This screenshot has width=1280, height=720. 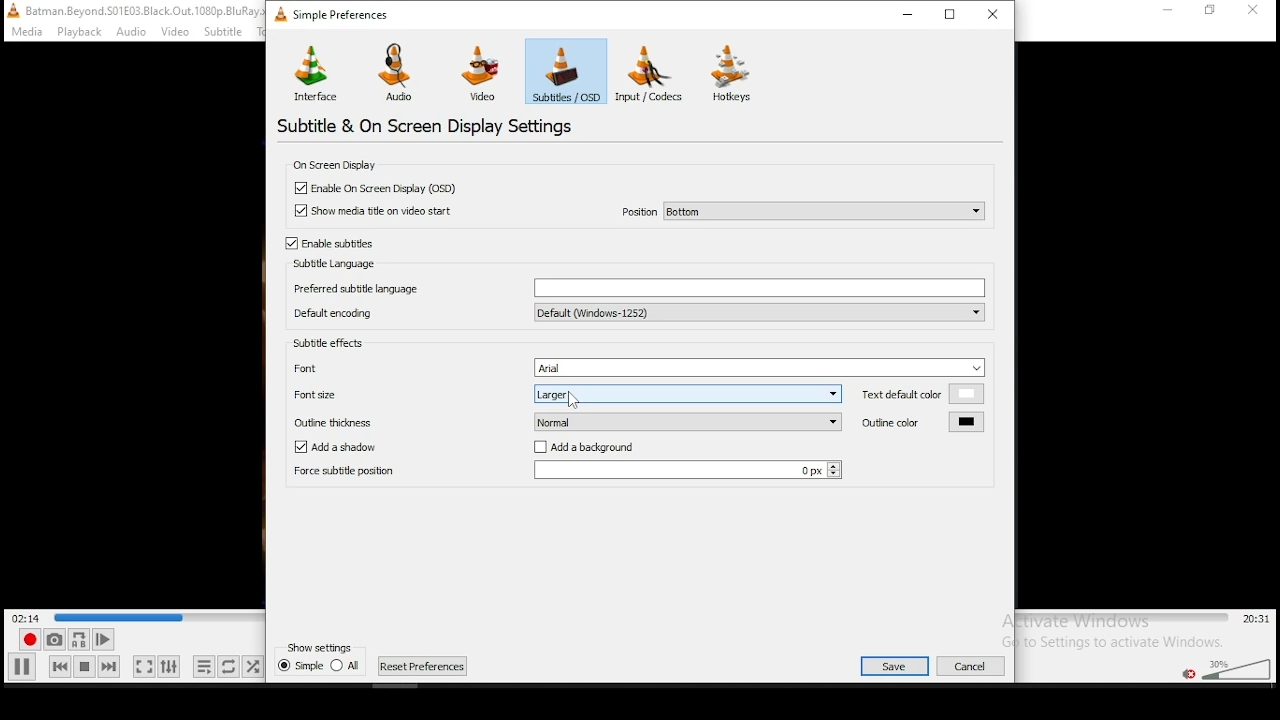 What do you see at coordinates (320, 646) in the screenshot?
I see `` at bounding box center [320, 646].